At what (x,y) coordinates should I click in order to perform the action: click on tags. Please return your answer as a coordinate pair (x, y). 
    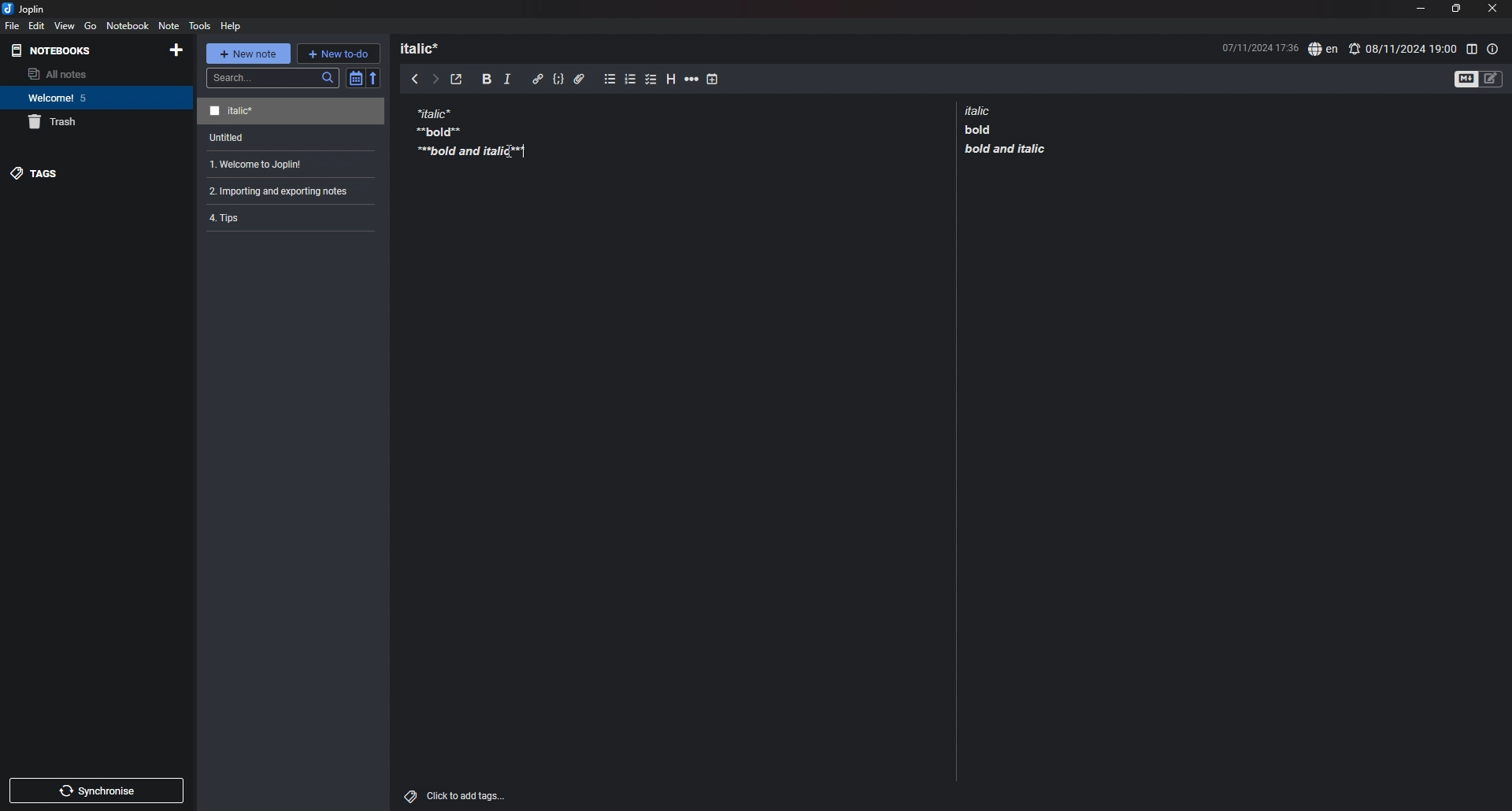
    Looking at the image, I should click on (95, 173).